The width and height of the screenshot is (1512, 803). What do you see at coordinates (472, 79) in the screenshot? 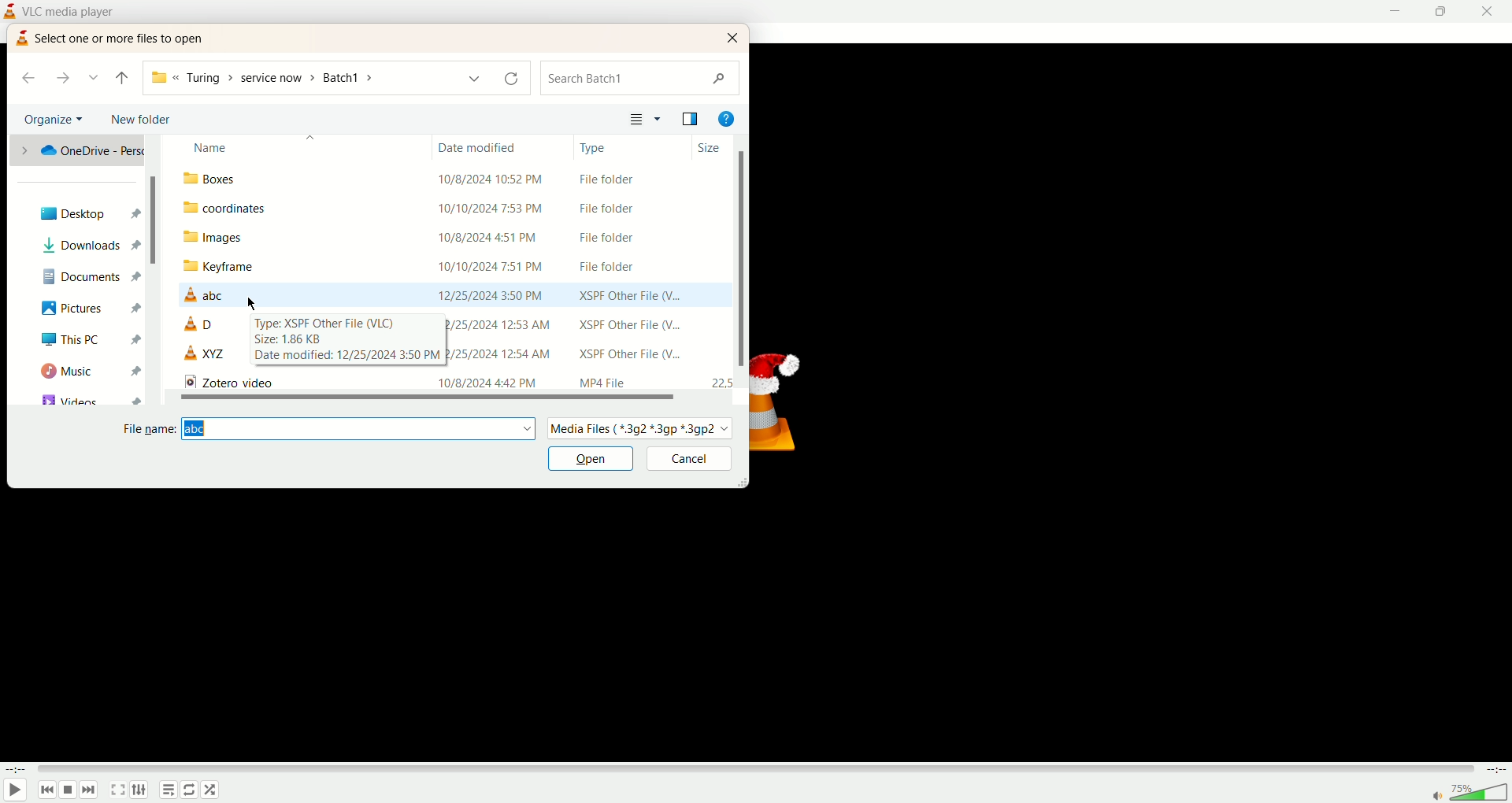
I see `previous locations` at bounding box center [472, 79].